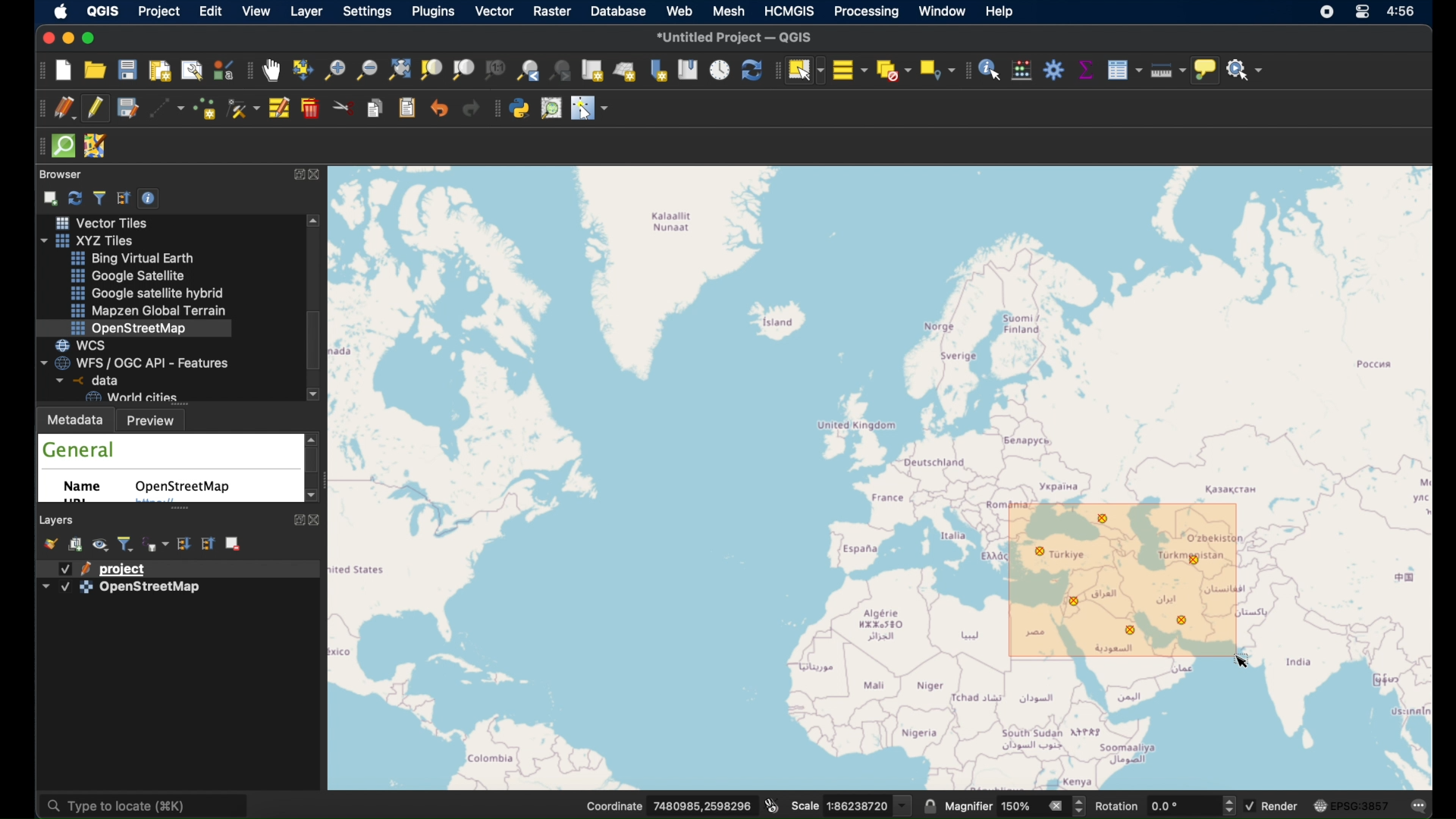  What do you see at coordinates (315, 221) in the screenshot?
I see `scroll up arrow` at bounding box center [315, 221].